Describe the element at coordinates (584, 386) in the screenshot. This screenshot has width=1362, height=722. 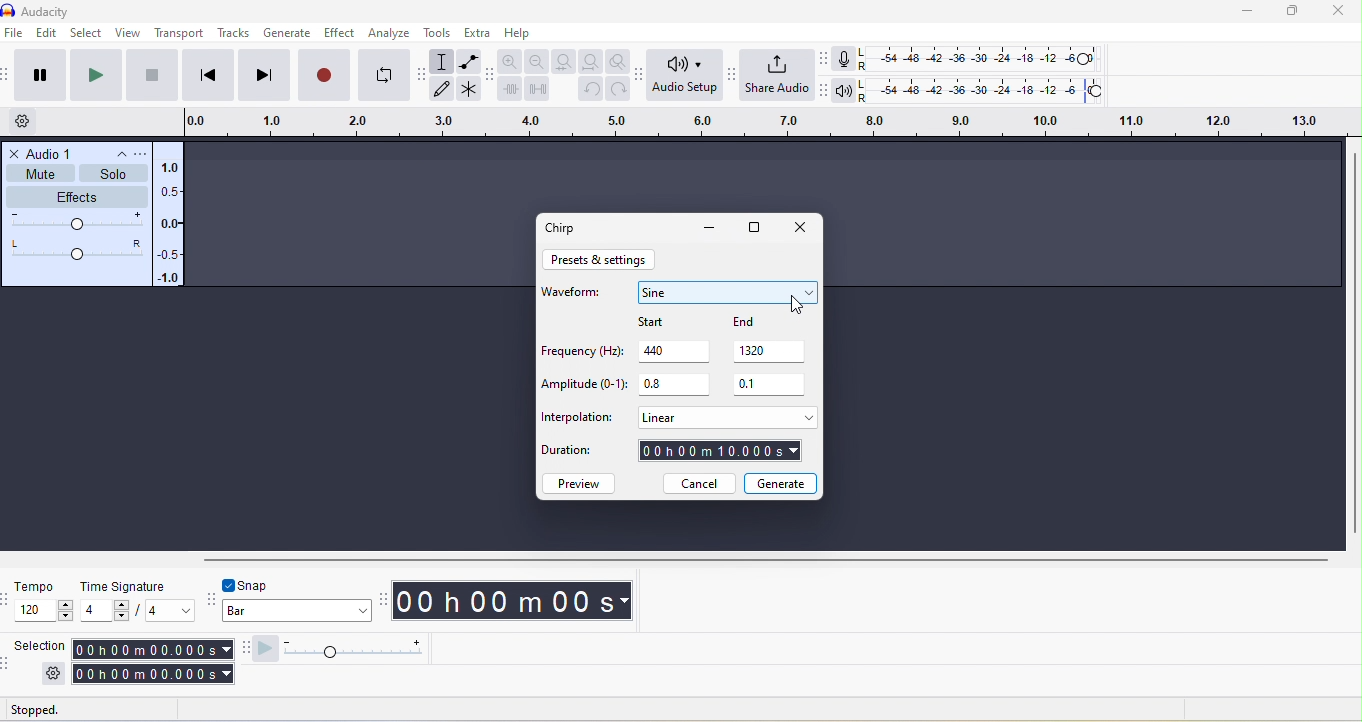
I see `amplitude (0-1): ` at that location.